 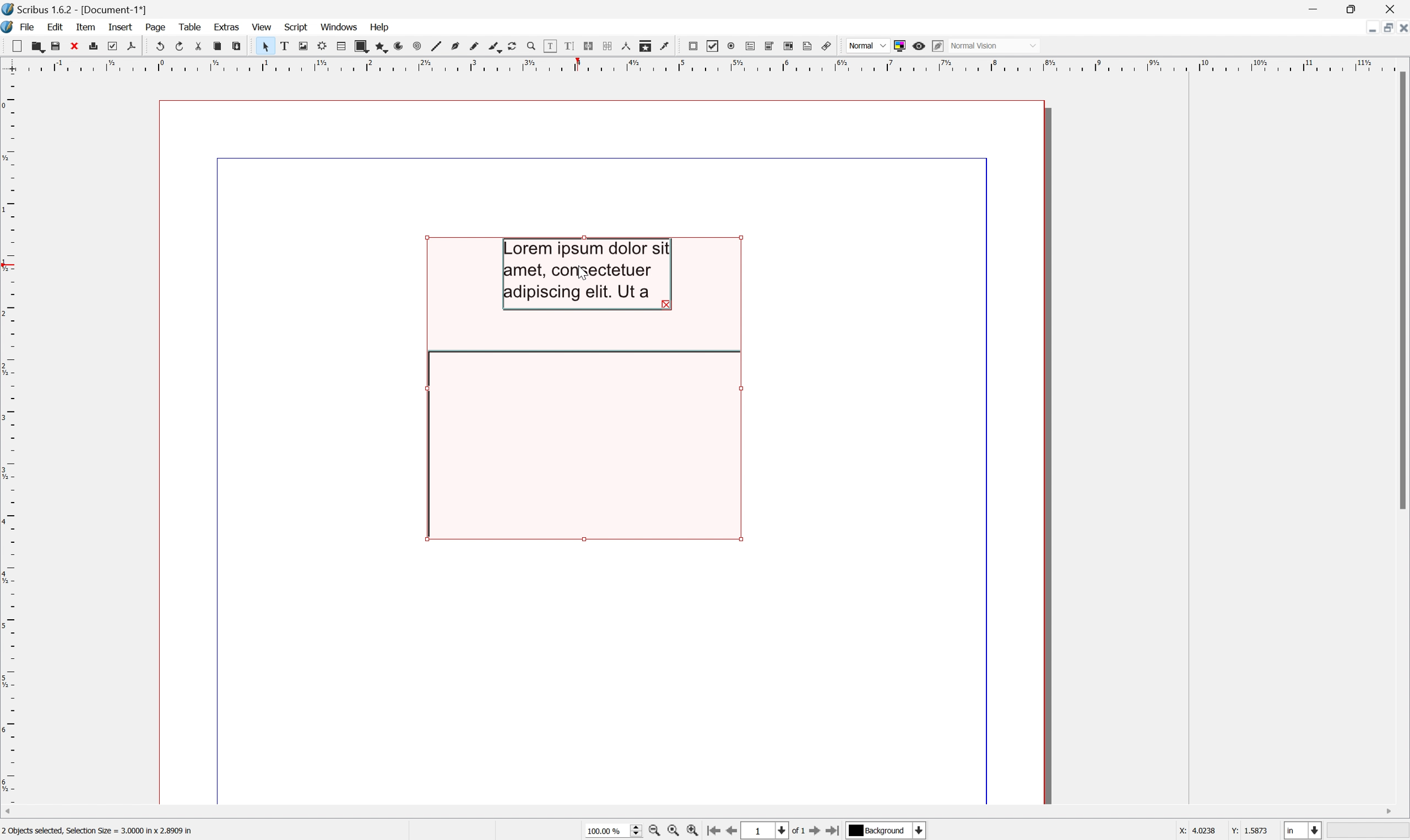 What do you see at coordinates (715, 832) in the screenshot?
I see `Go to the first page` at bounding box center [715, 832].